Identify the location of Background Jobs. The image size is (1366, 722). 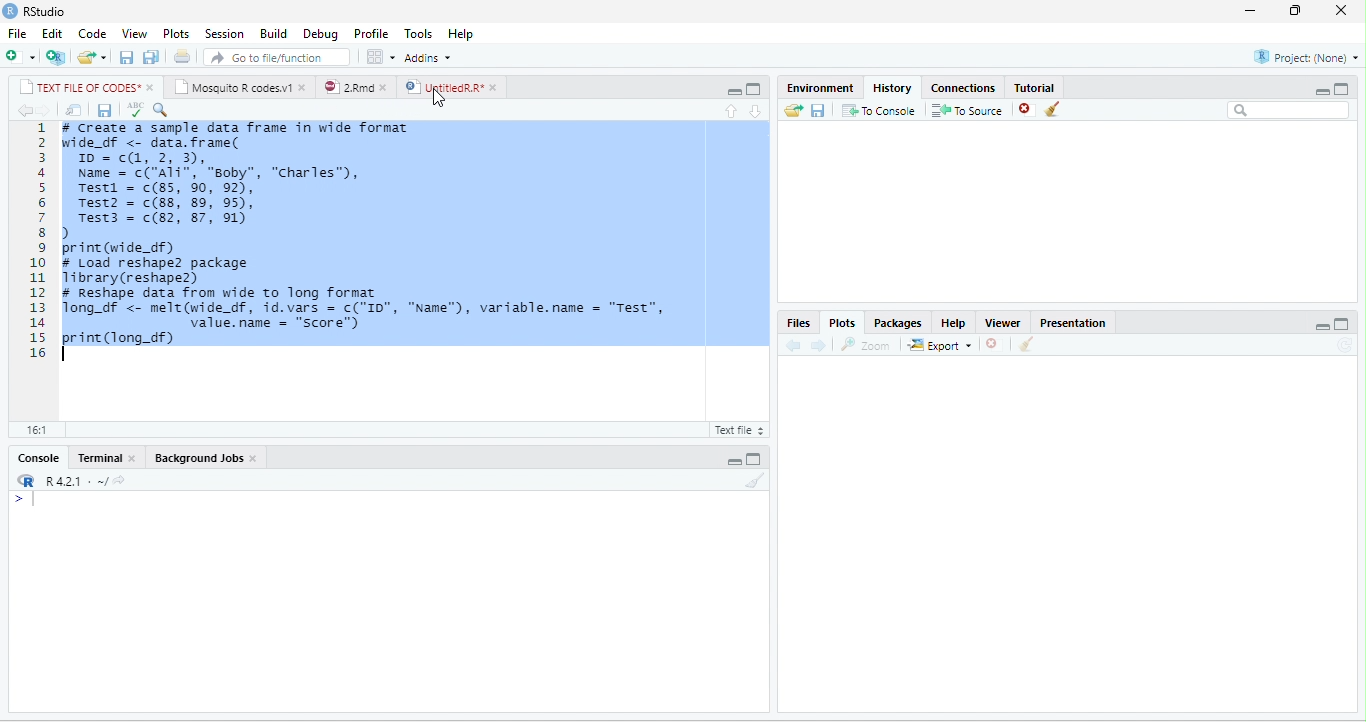
(197, 457).